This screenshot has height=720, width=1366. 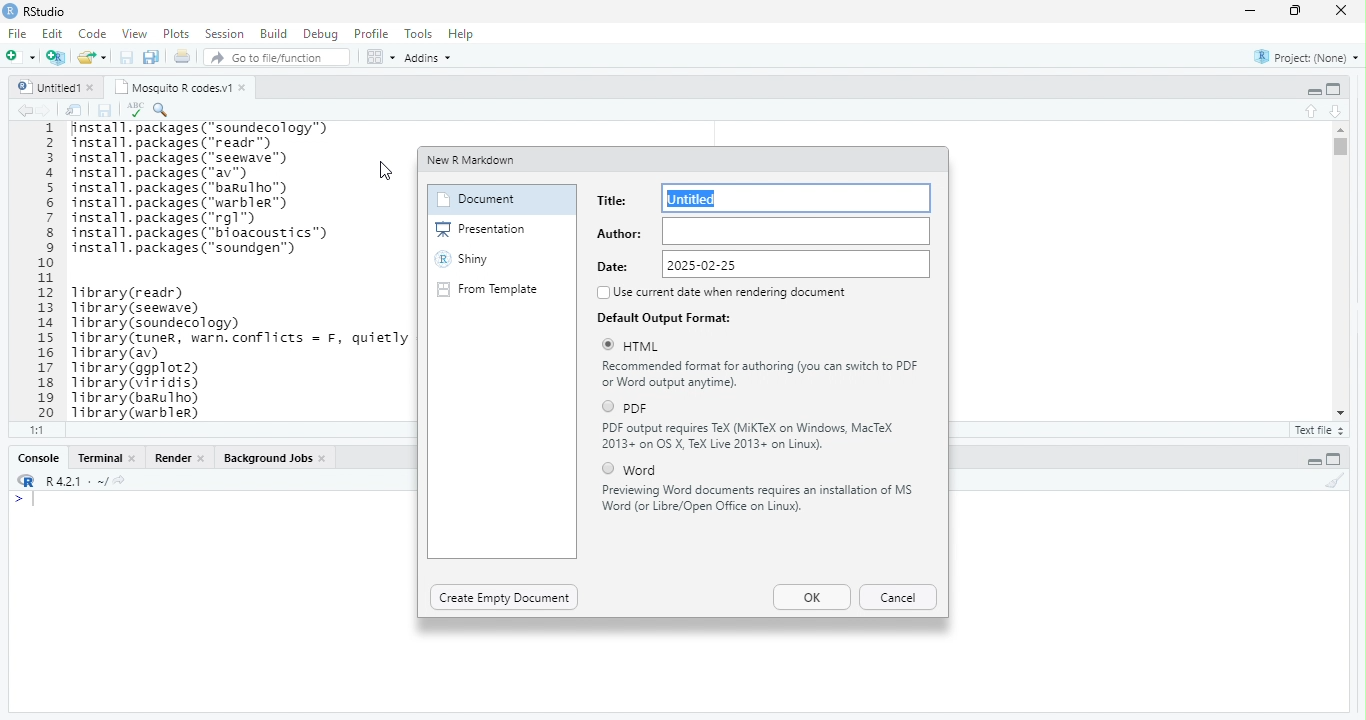 What do you see at coordinates (133, 458) in the screenshot?
I see `close` at bounding box center [133, 458].